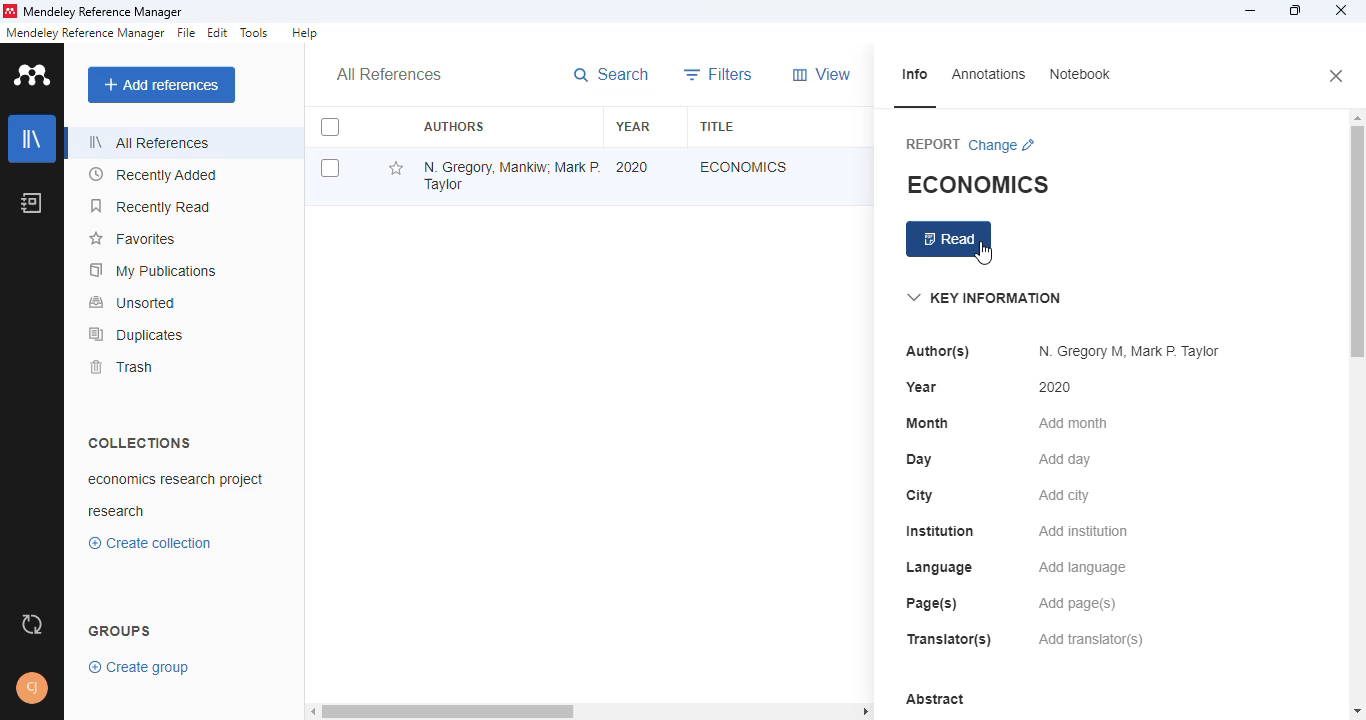 Image resolution: width=1366 pixels, height=720 pixels. What do you see at coordinates (632, 167) in the screenshot?
I see `2020` at bounding box center [632, 167].